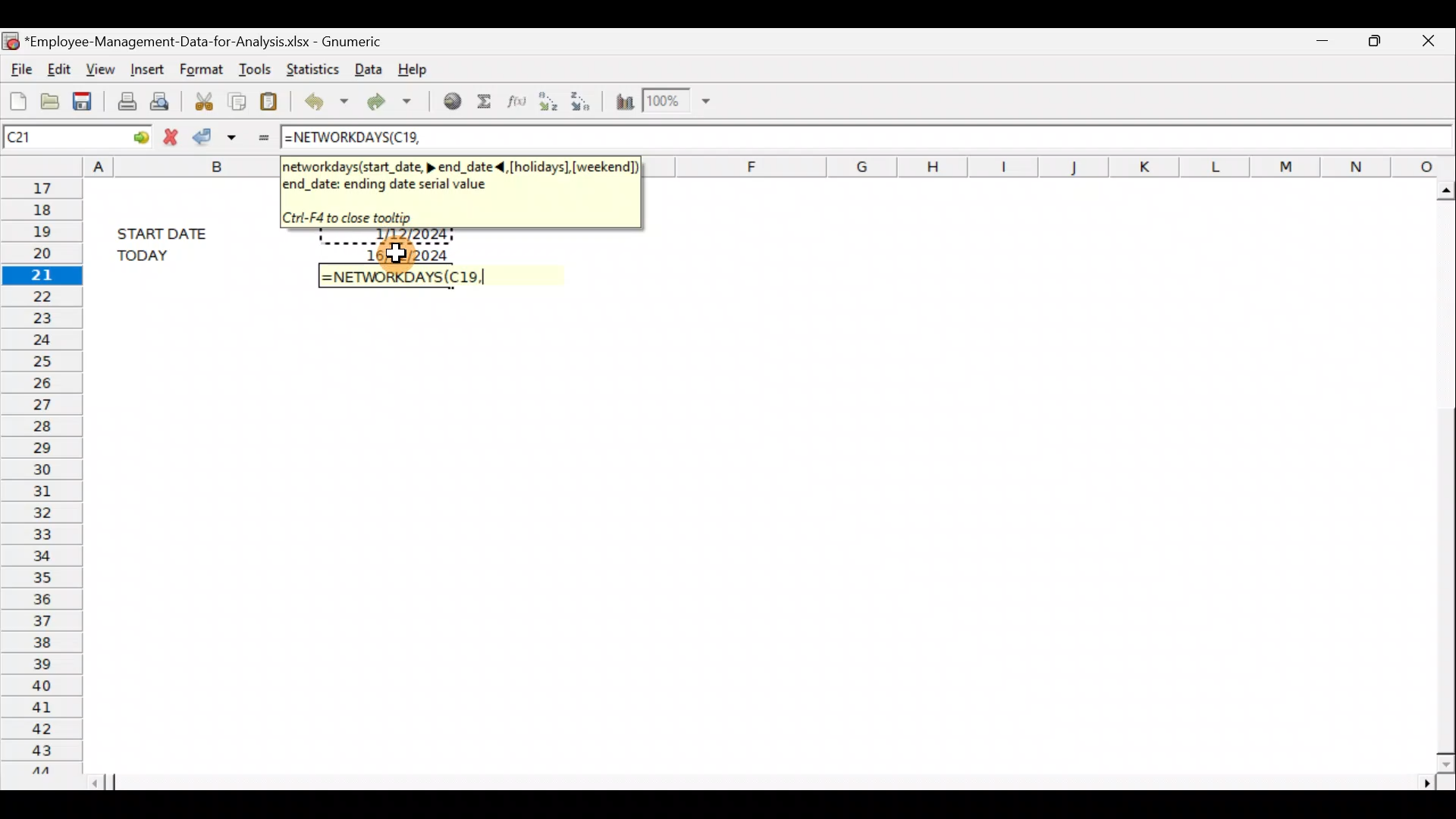 The height and width of the screenshot is (819, 1456). I want to click on START DATE, so click(171, 231).